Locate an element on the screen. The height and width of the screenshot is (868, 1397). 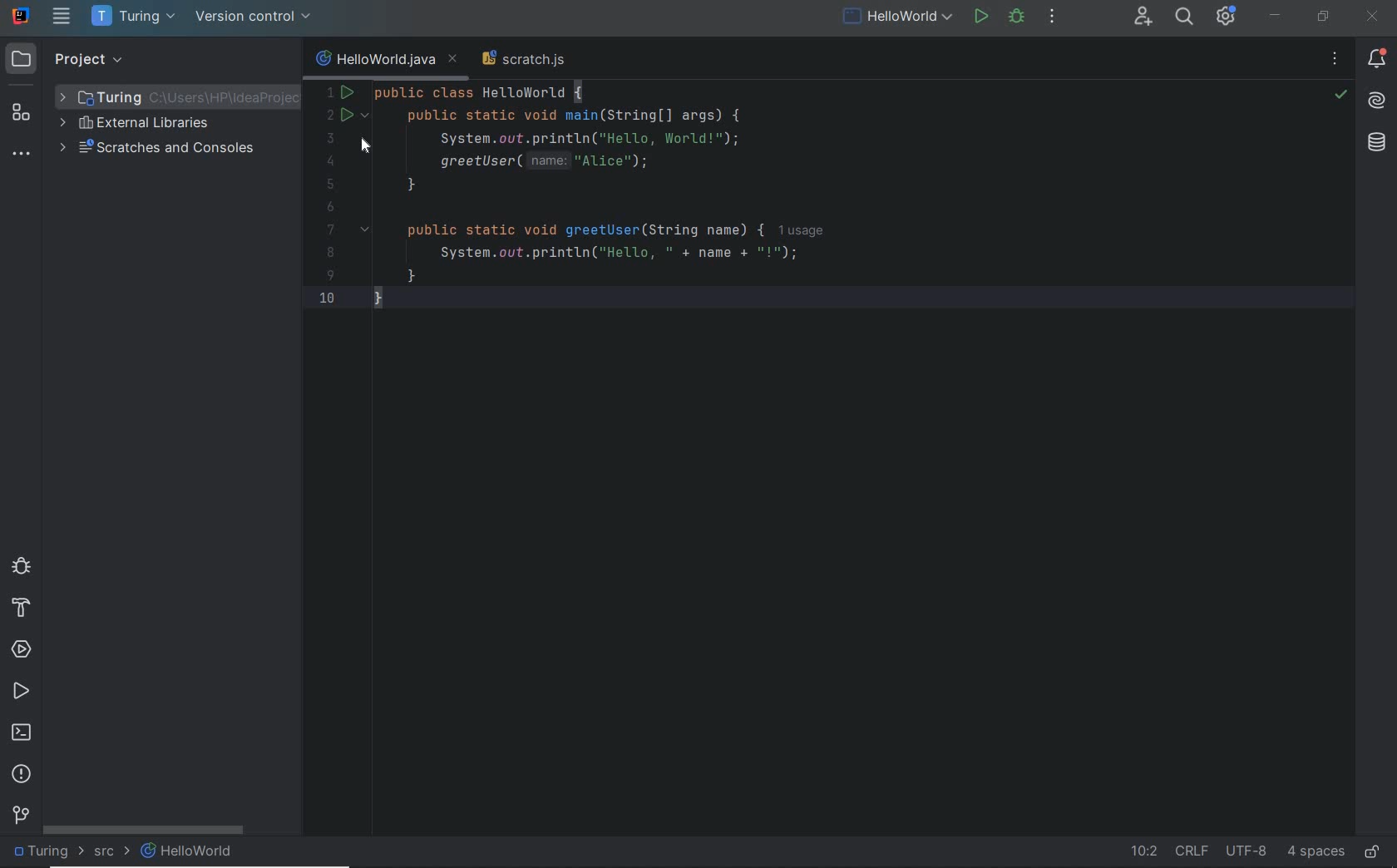
debug is located at coordinates (22, 569).